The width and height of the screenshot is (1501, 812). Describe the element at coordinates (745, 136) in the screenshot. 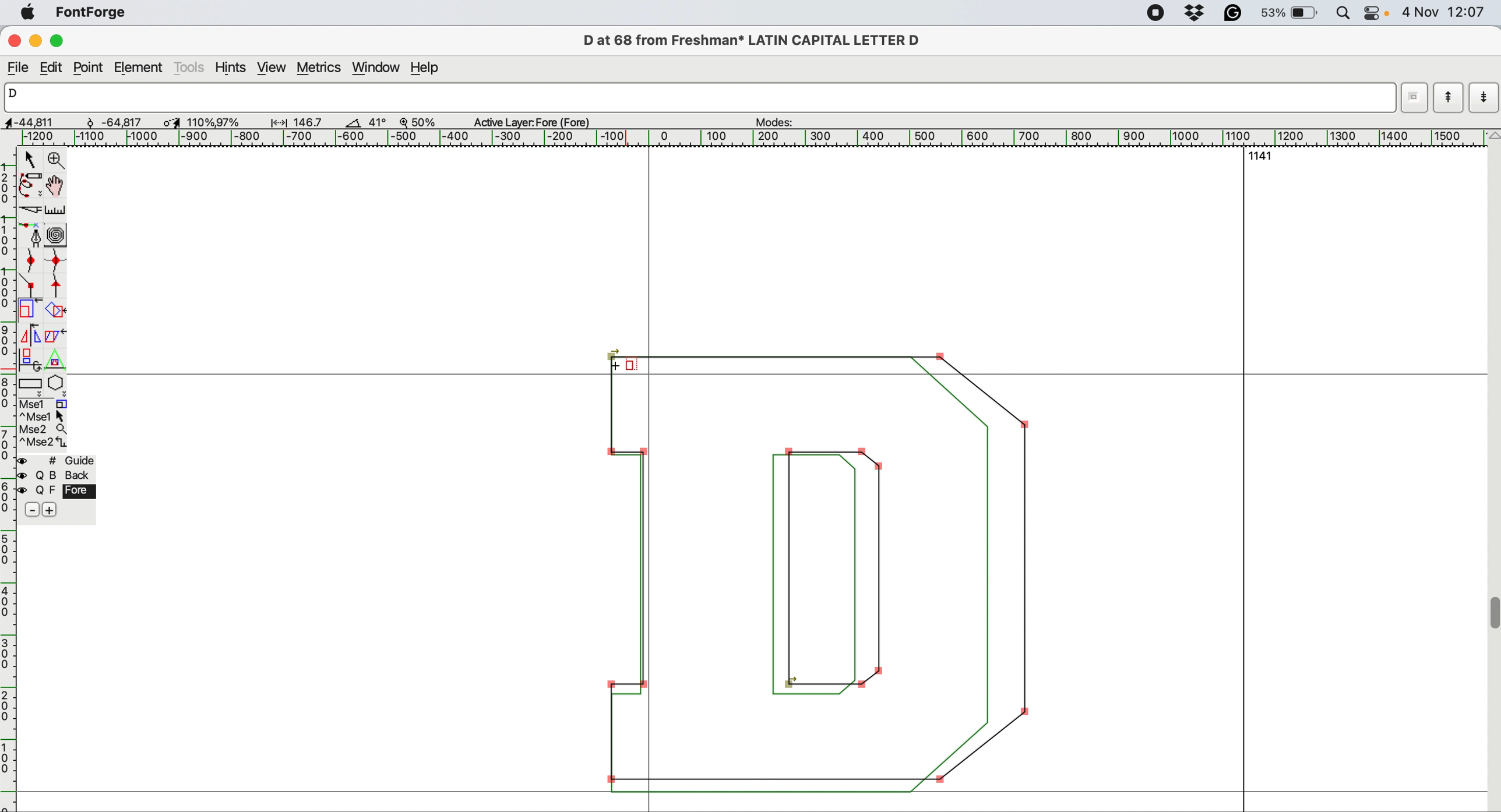

I see `[1200 [1100 [1000 |-900 |-800 [-700 |-600 |-500 [|-400 [-300 |-200 |-100 | O  |100 |200 [300 [400 [500 |600 [700 |800 |900 [1000 [1100 [1200 [1300 [1400 [1500` at that location.